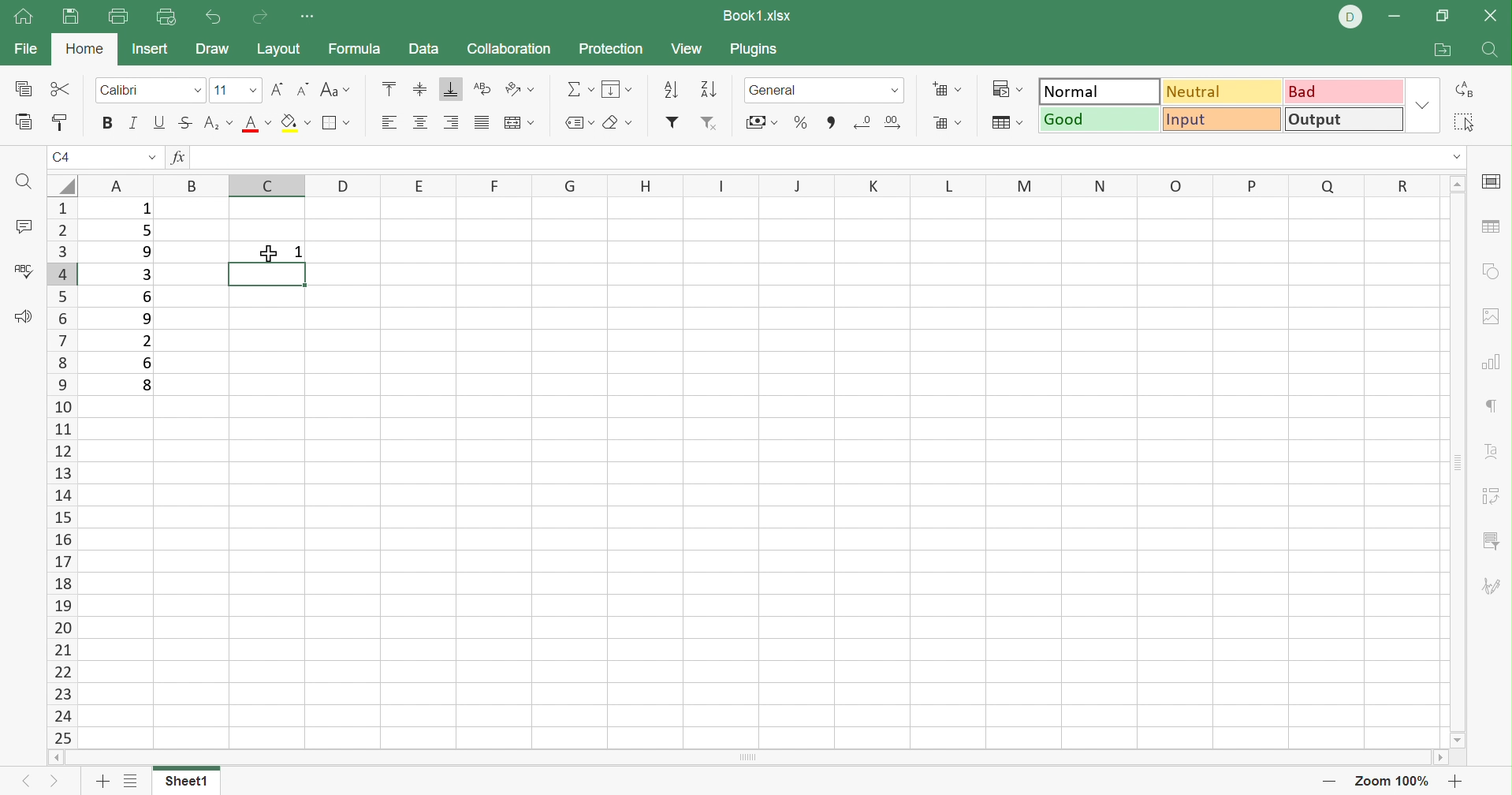 This screenshot has height=795, width=1512. What do you see at coordinates (218, 123) in the screenshot?
I see `Superscript / subscript` at bounding box center [218, 123].